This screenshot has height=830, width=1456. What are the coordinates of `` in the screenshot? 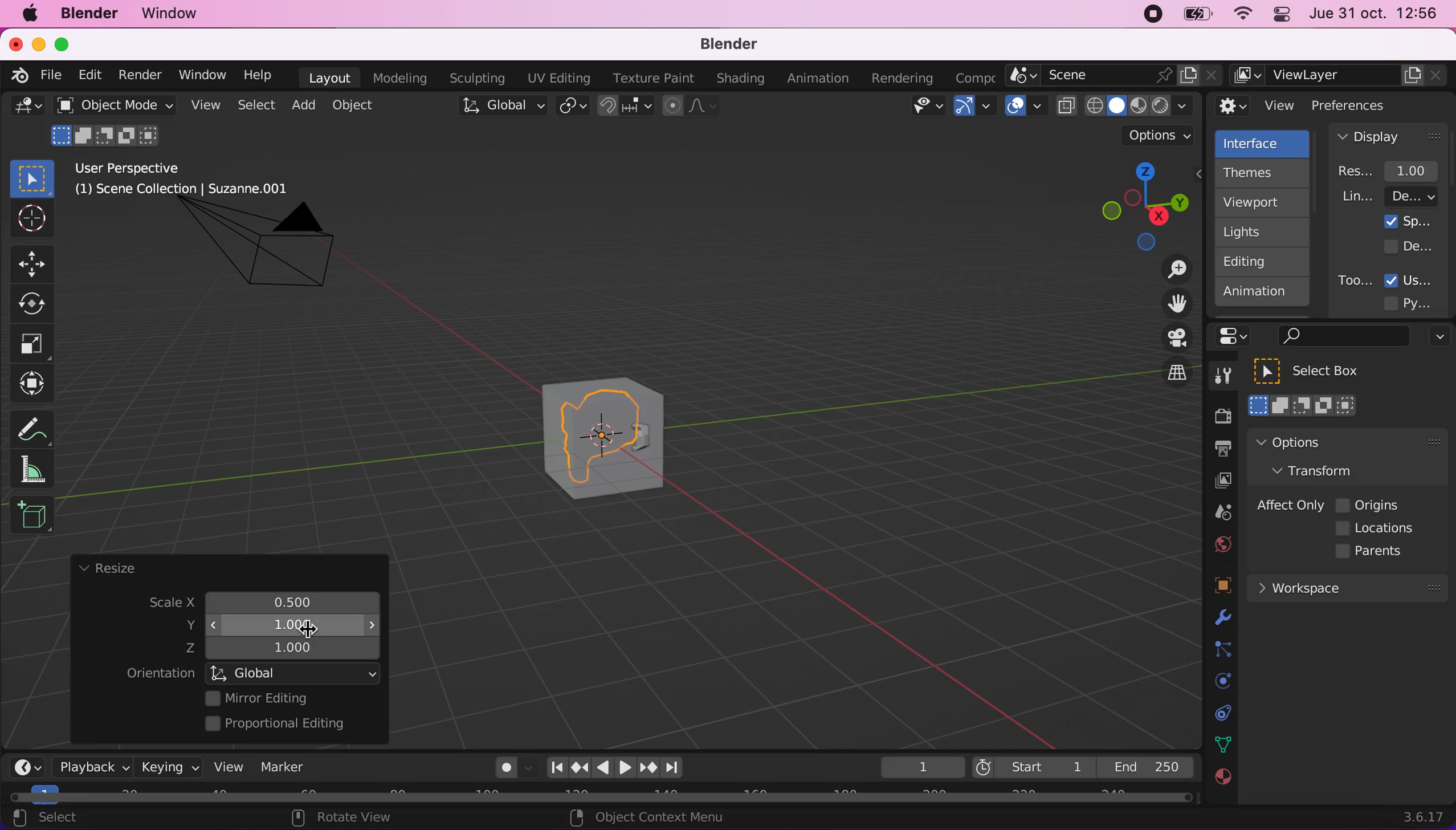 It's located at (32, 344).